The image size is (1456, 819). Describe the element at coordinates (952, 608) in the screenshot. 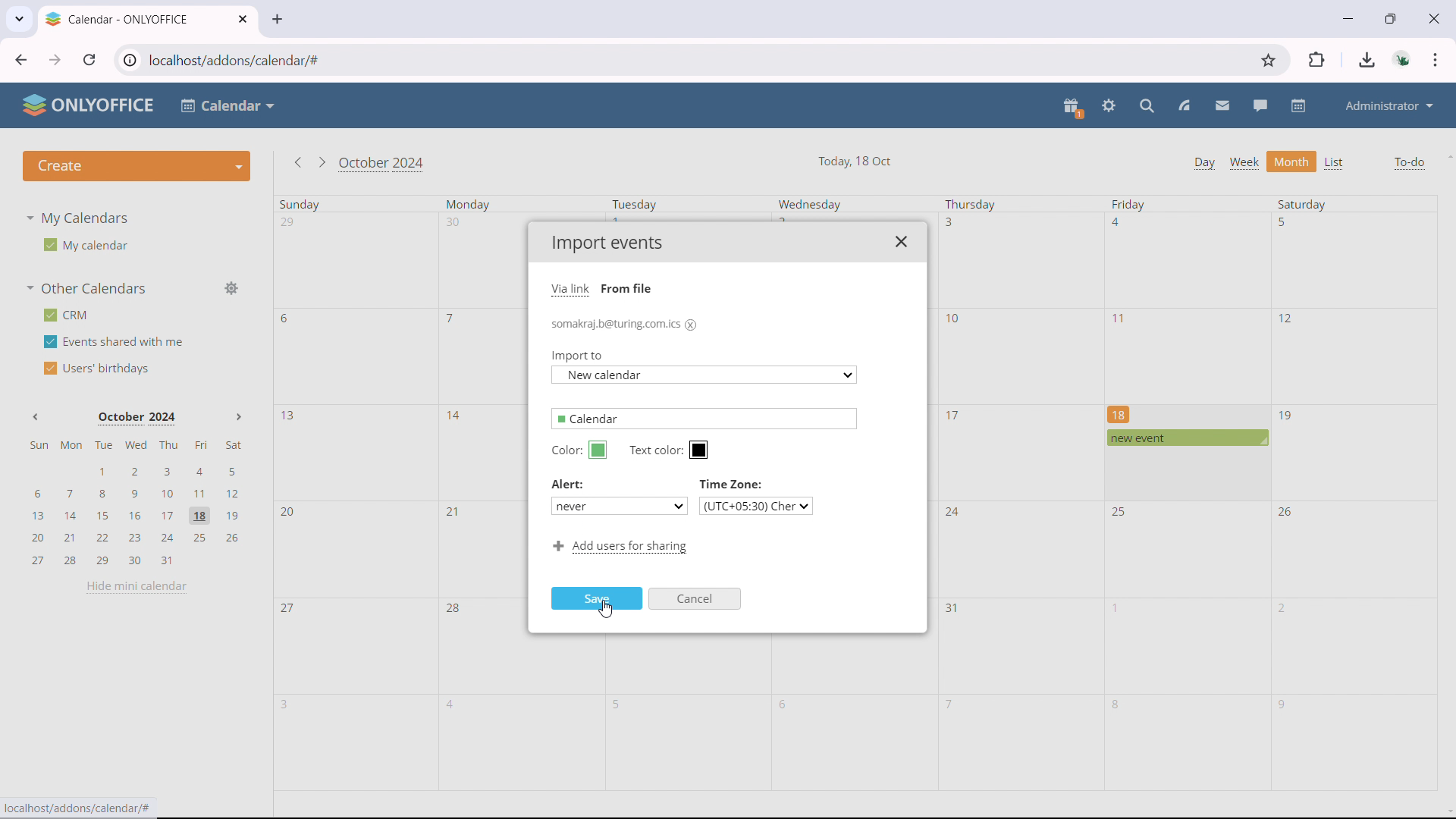

I see `31` at that location.